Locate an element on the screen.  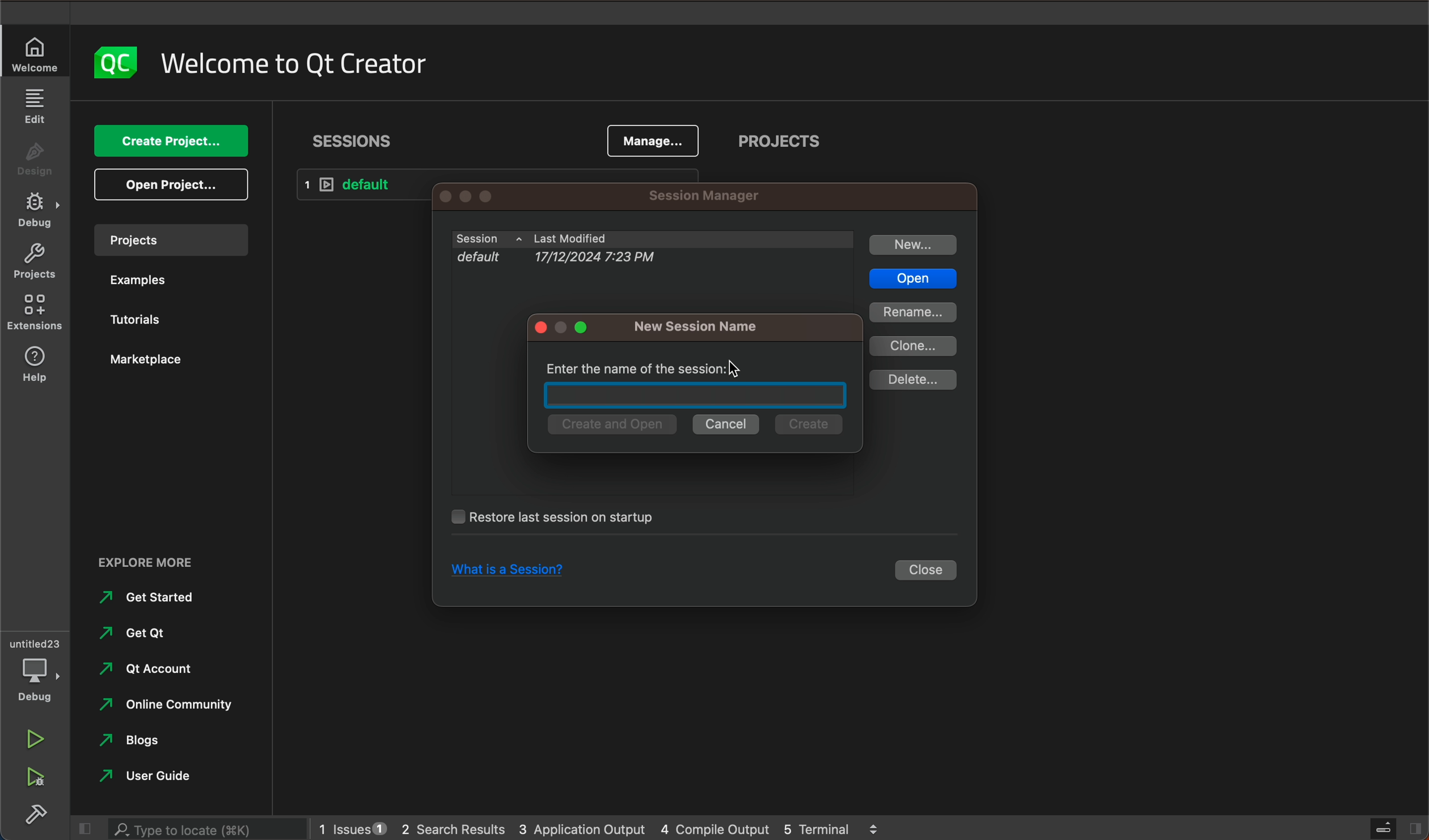
design is located at coordinates (36, 163).